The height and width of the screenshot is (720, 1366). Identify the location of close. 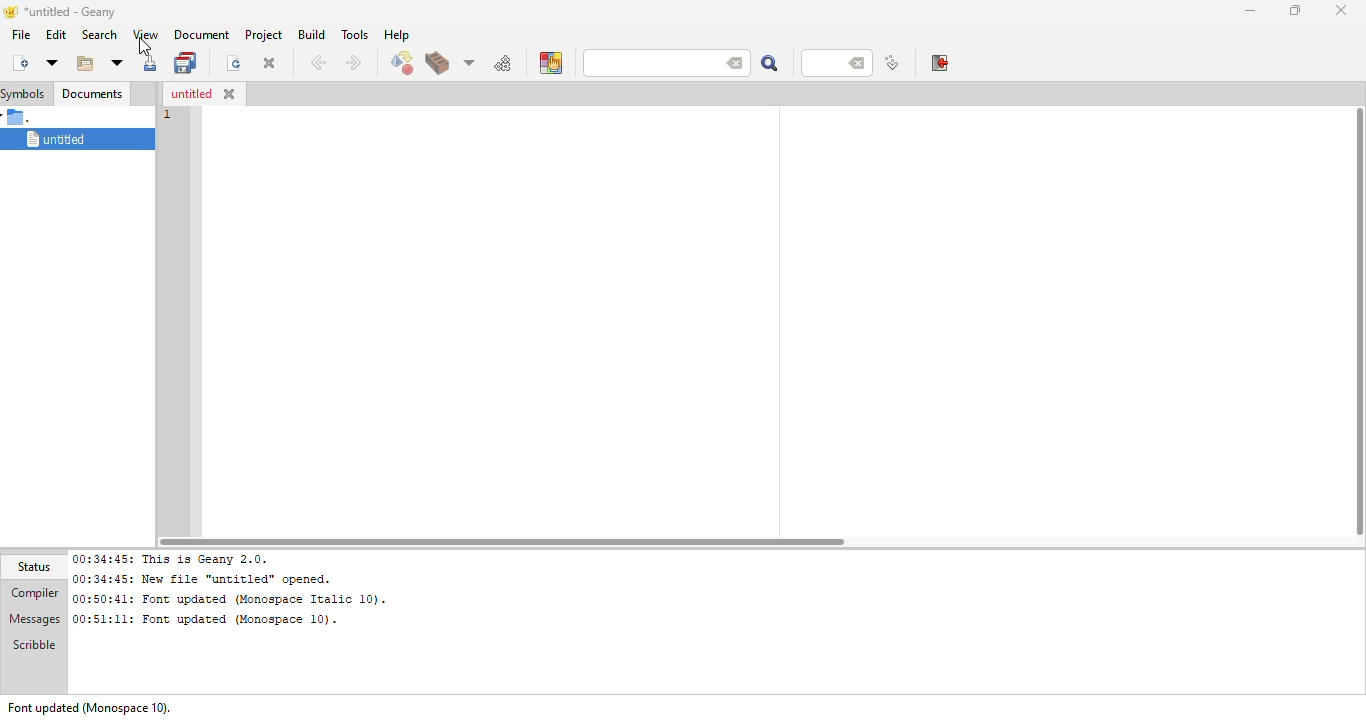
(230, 94).